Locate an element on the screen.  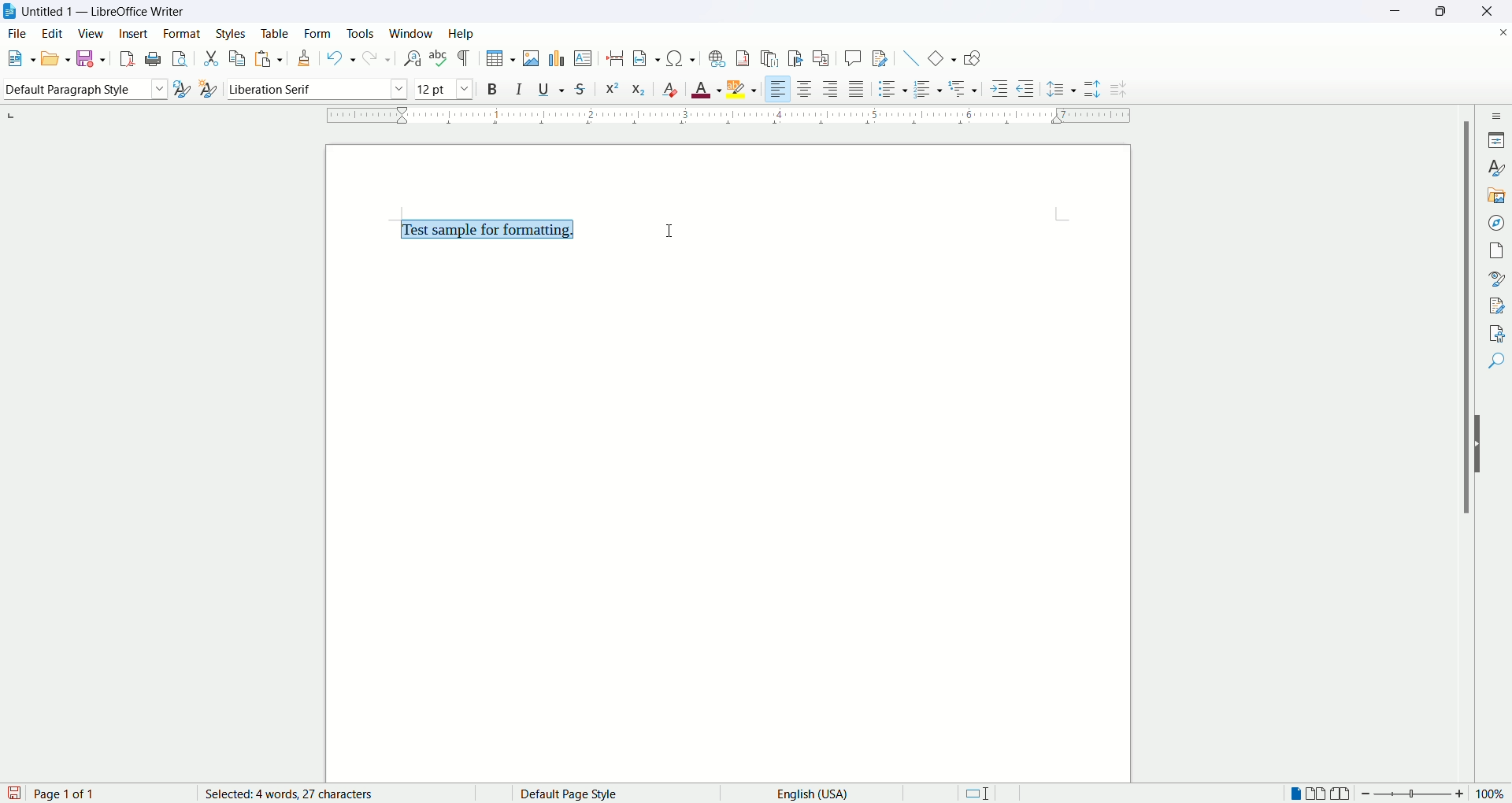
default page style is located at coordinates (598, 791).